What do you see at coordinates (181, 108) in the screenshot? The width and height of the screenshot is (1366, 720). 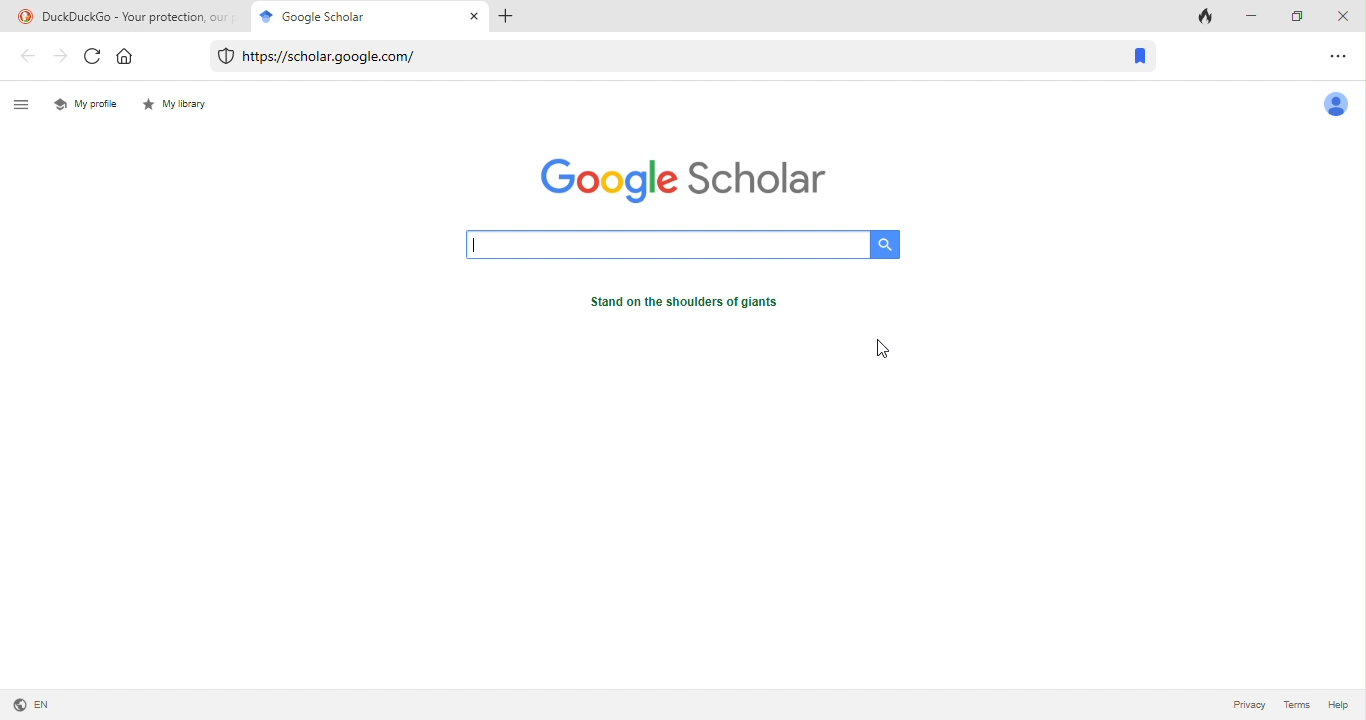 I see `my library` at bounding box center [181, 108].